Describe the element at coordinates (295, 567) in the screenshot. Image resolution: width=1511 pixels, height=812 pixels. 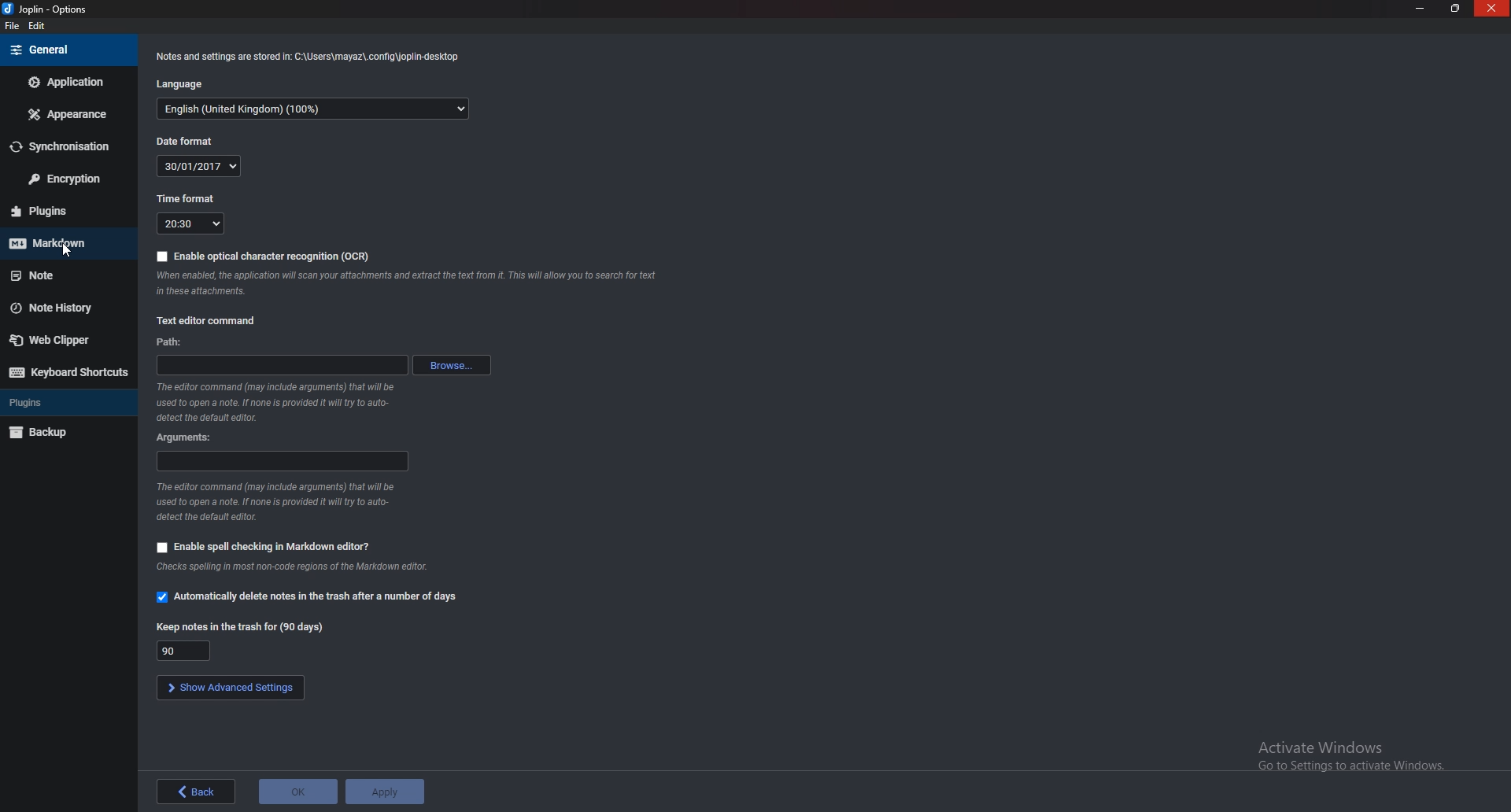
I see `Info` at that location.